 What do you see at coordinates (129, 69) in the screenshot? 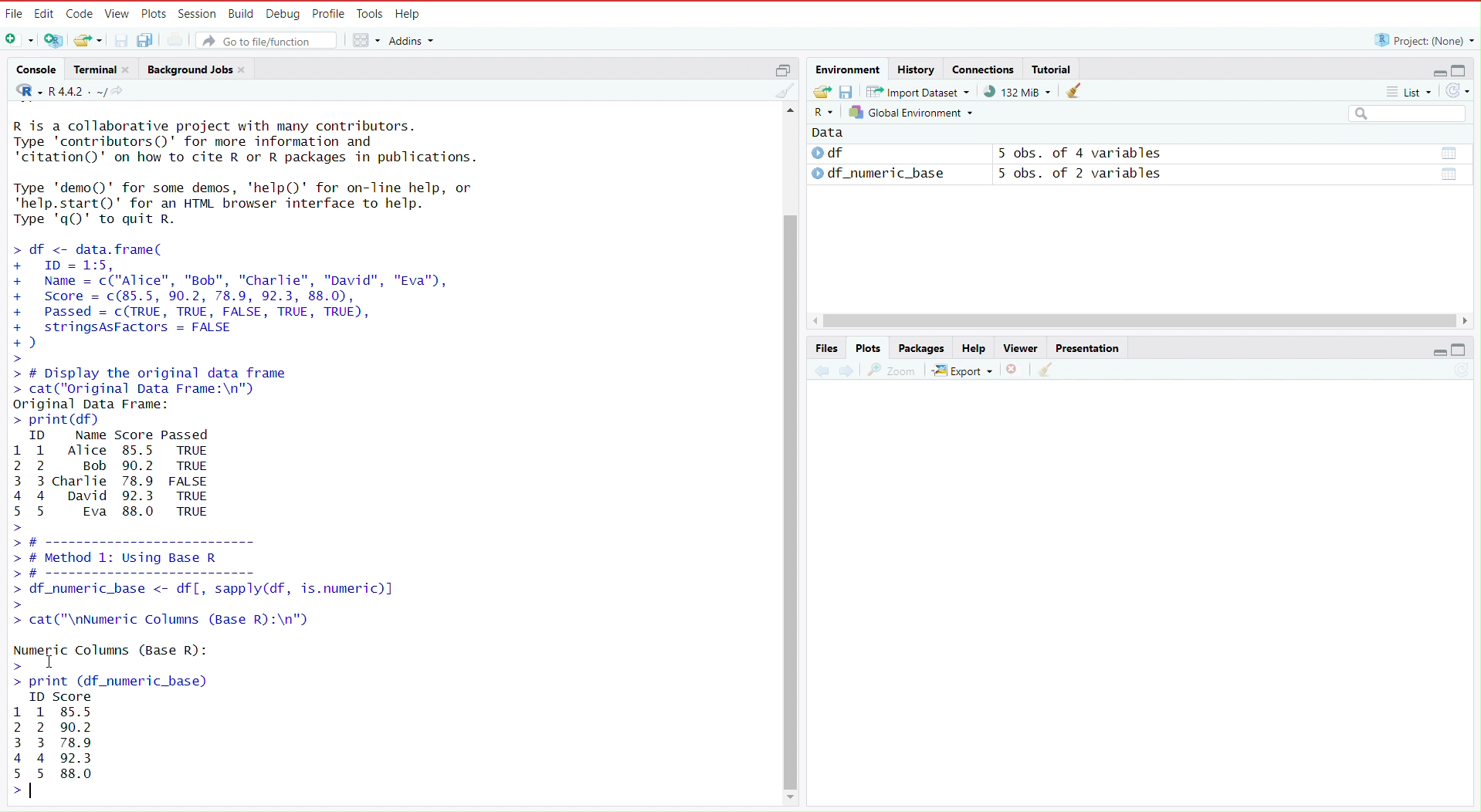
I see `close` at bounding box center [129, 69].